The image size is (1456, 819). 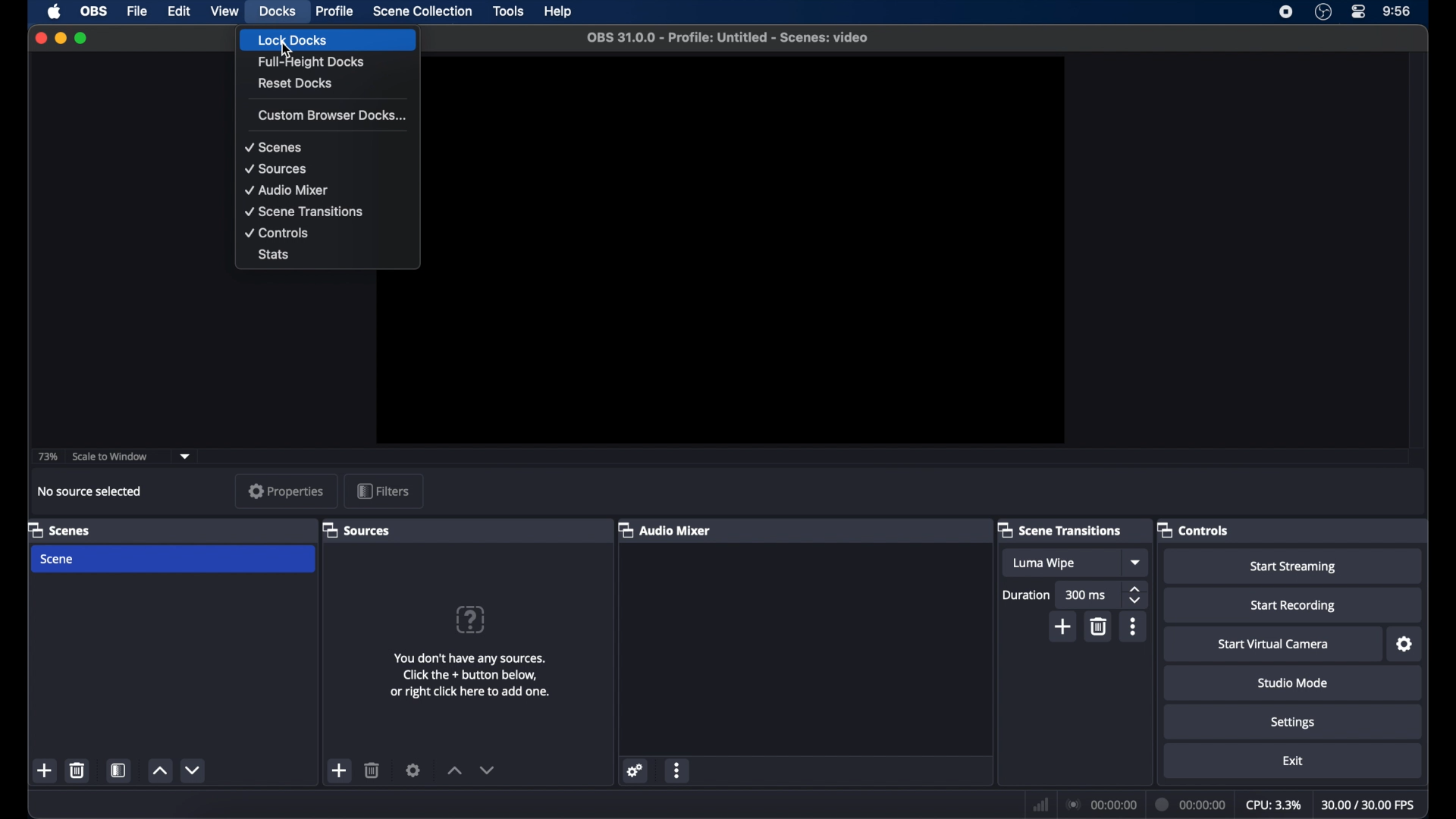 What do you see at coordinates (635, 771) in the screenshot?
I see `settings` at bounding box center [635, 771].